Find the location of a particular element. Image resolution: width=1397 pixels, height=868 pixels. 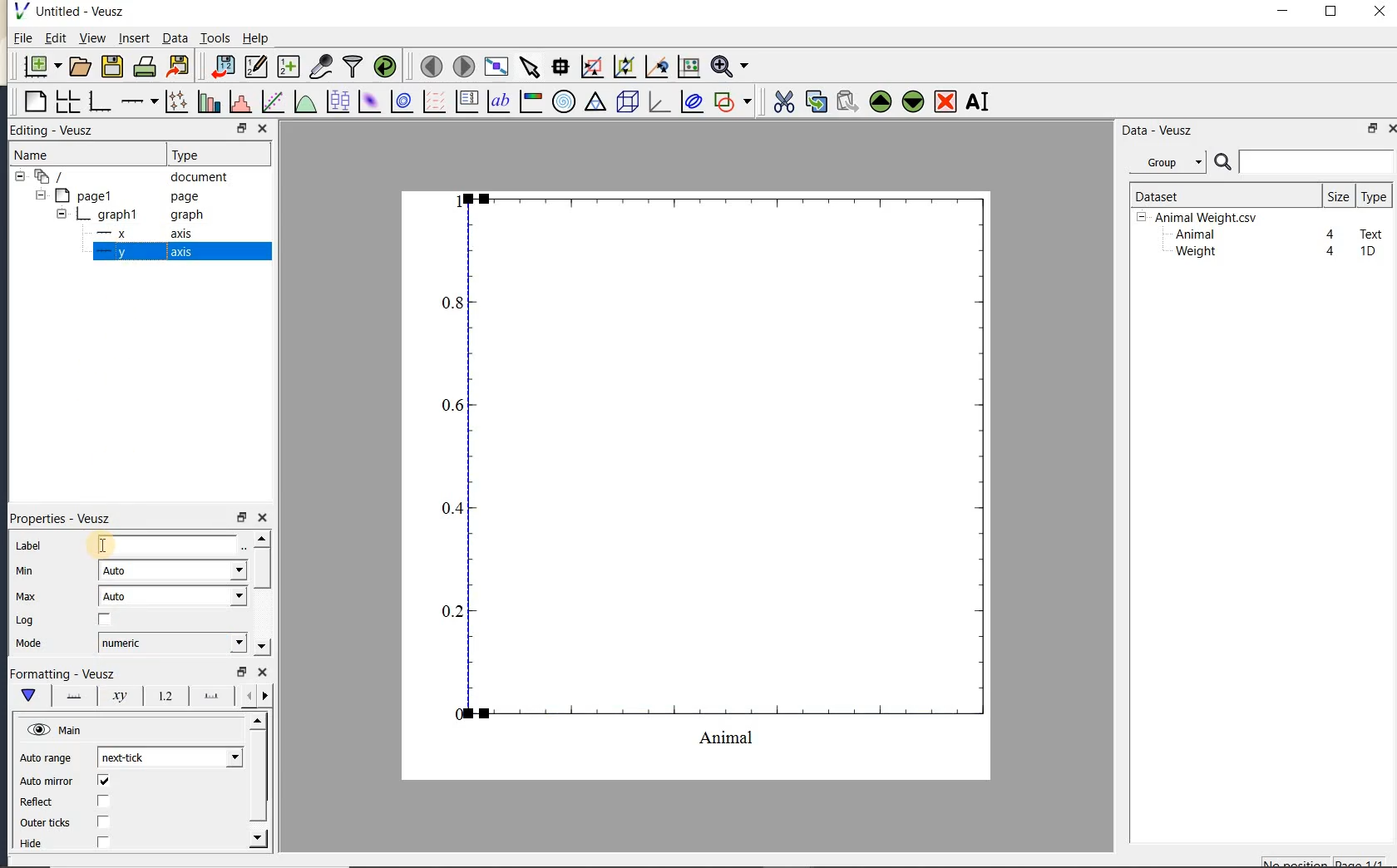

filter data is located at coordinates (353, 65).